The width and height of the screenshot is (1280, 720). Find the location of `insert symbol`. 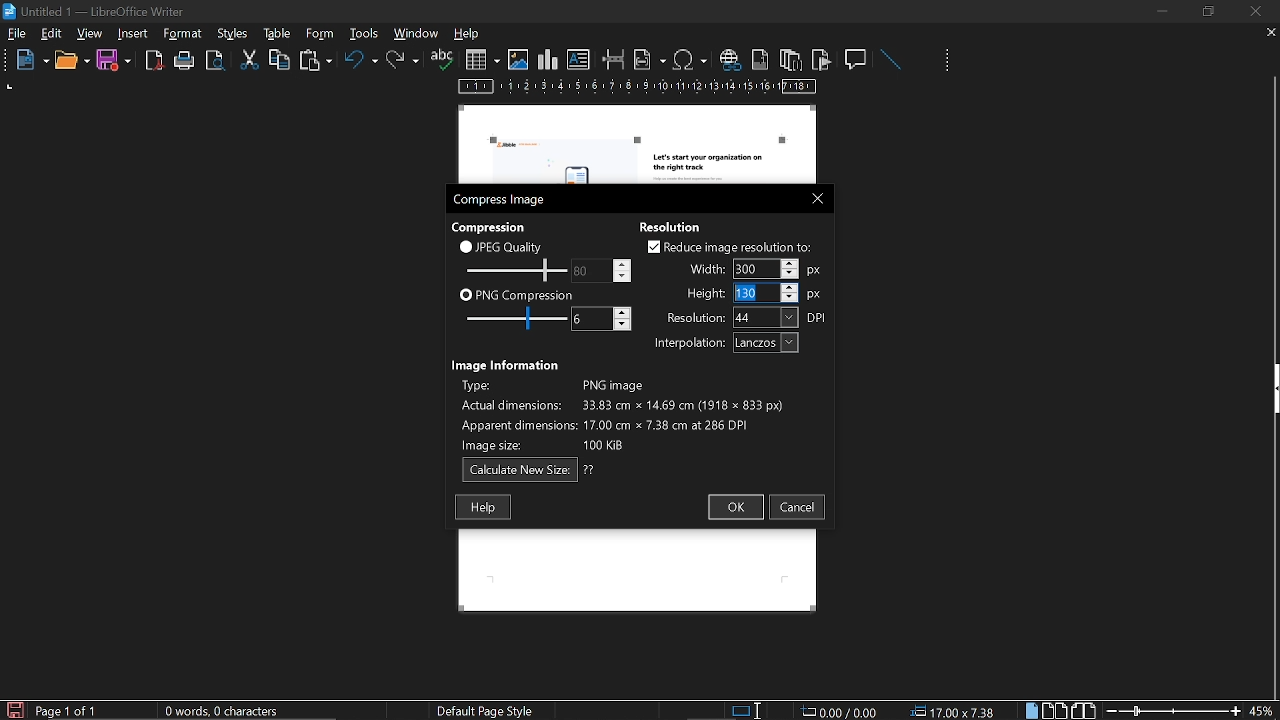

insert symbol is located at coordinates (690, 59).